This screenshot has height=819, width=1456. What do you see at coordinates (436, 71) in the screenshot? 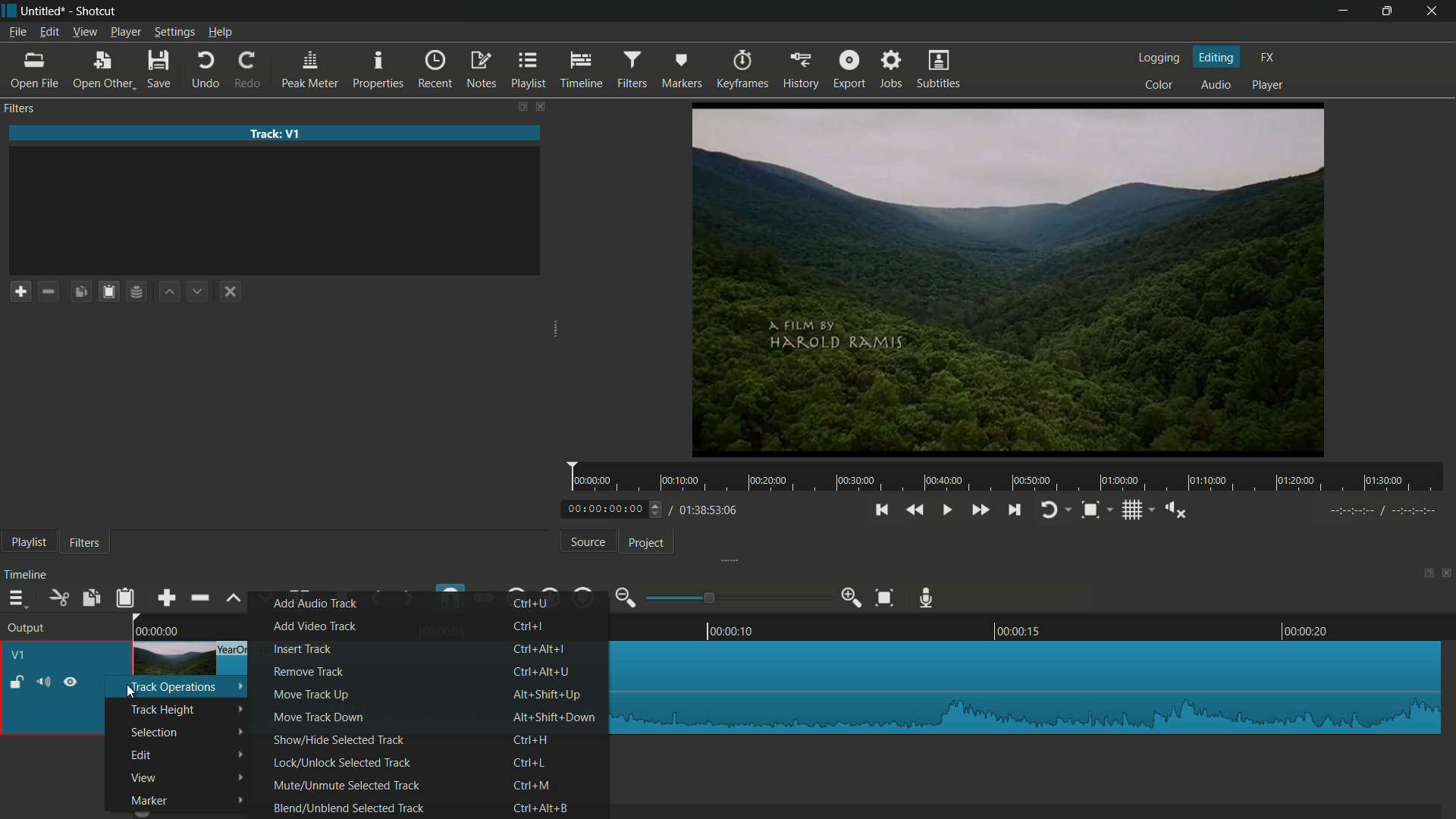
I see `recent` at bounding box center [436, 71].